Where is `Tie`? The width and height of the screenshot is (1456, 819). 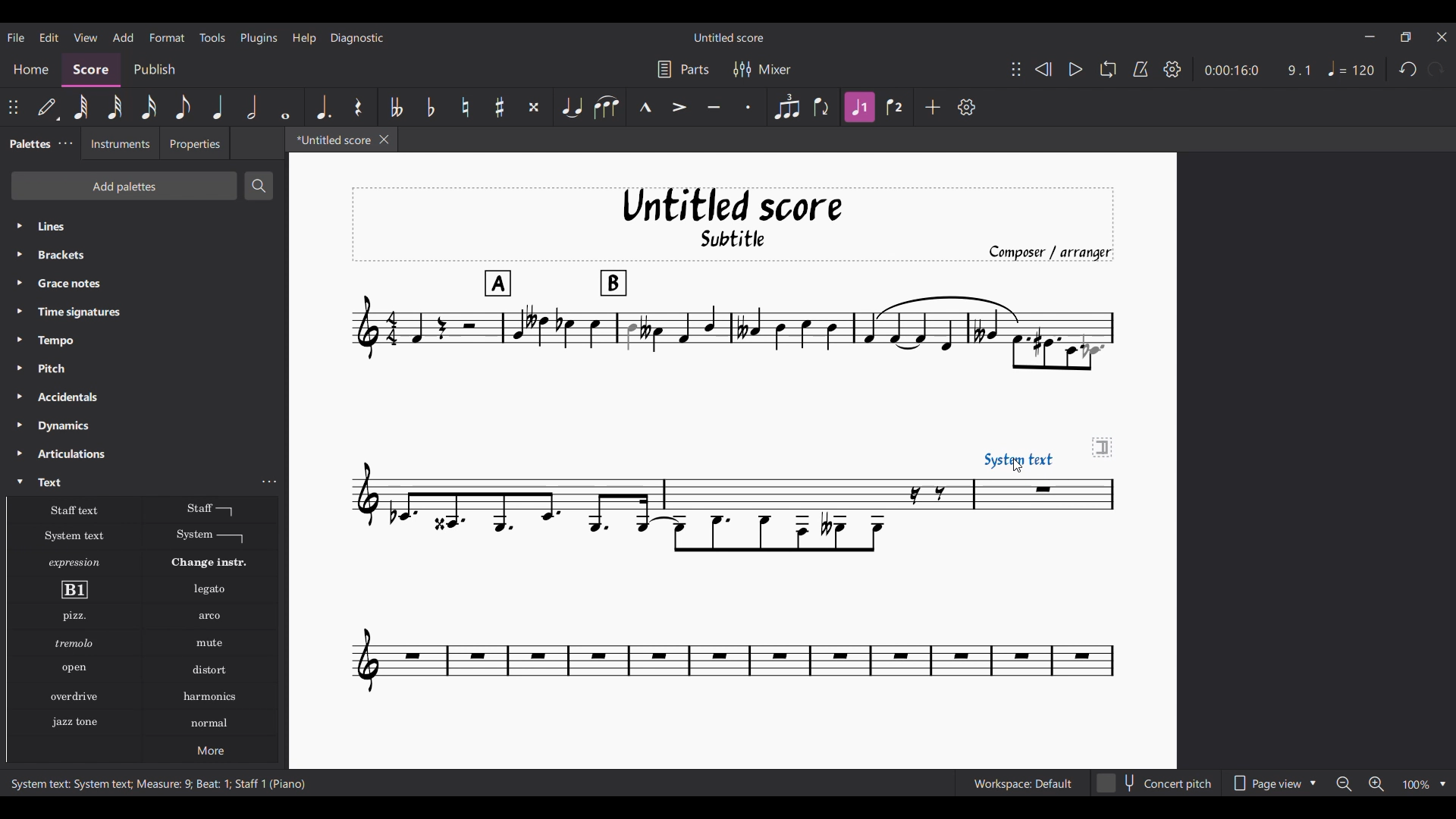
Tie is located at coordinates (571, 106).